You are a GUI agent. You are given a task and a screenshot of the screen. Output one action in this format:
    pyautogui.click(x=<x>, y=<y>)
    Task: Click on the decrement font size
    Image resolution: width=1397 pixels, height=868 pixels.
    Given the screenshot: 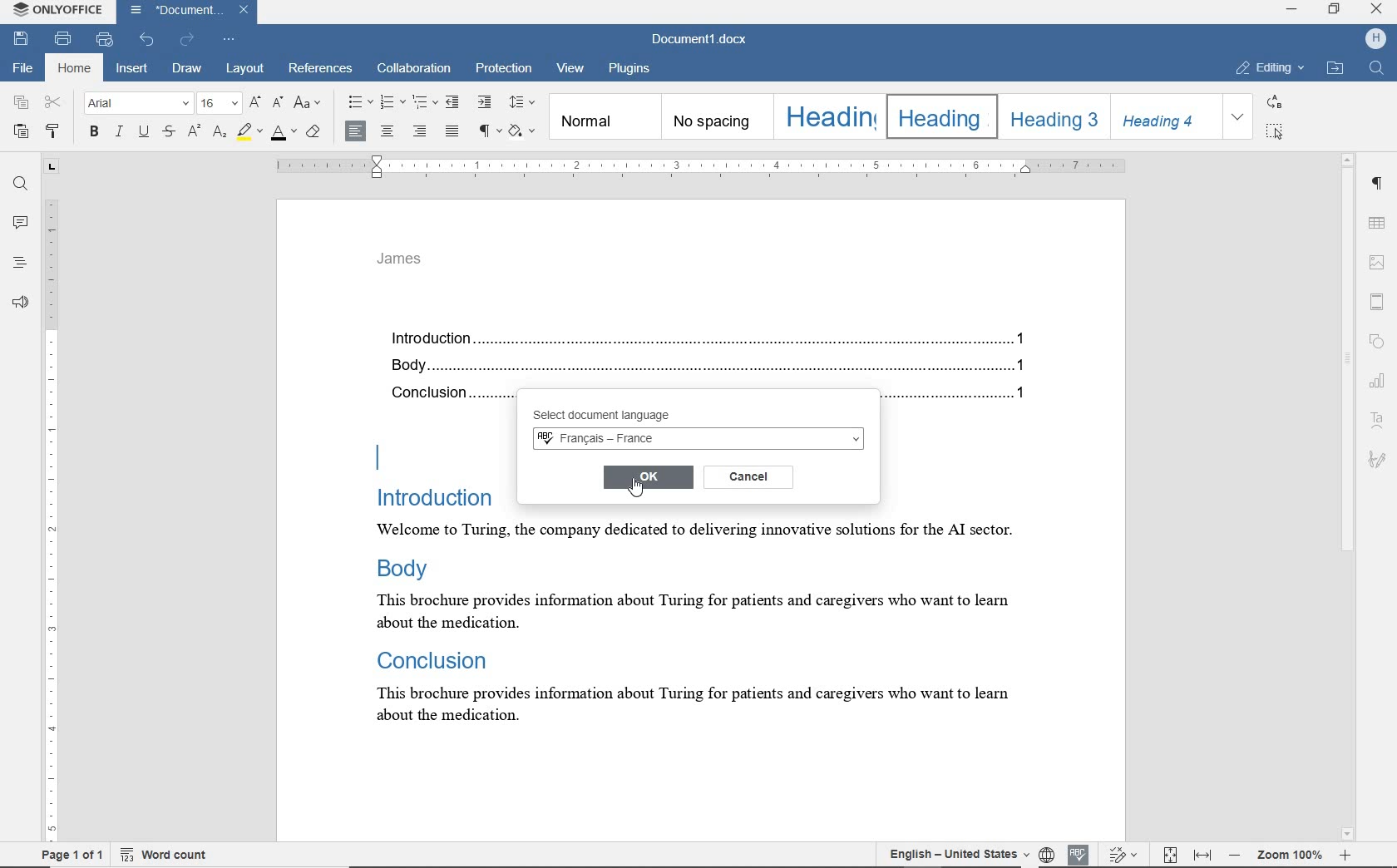 What is the action you would take?
    pyautogui.click(x=278, y=101)
    